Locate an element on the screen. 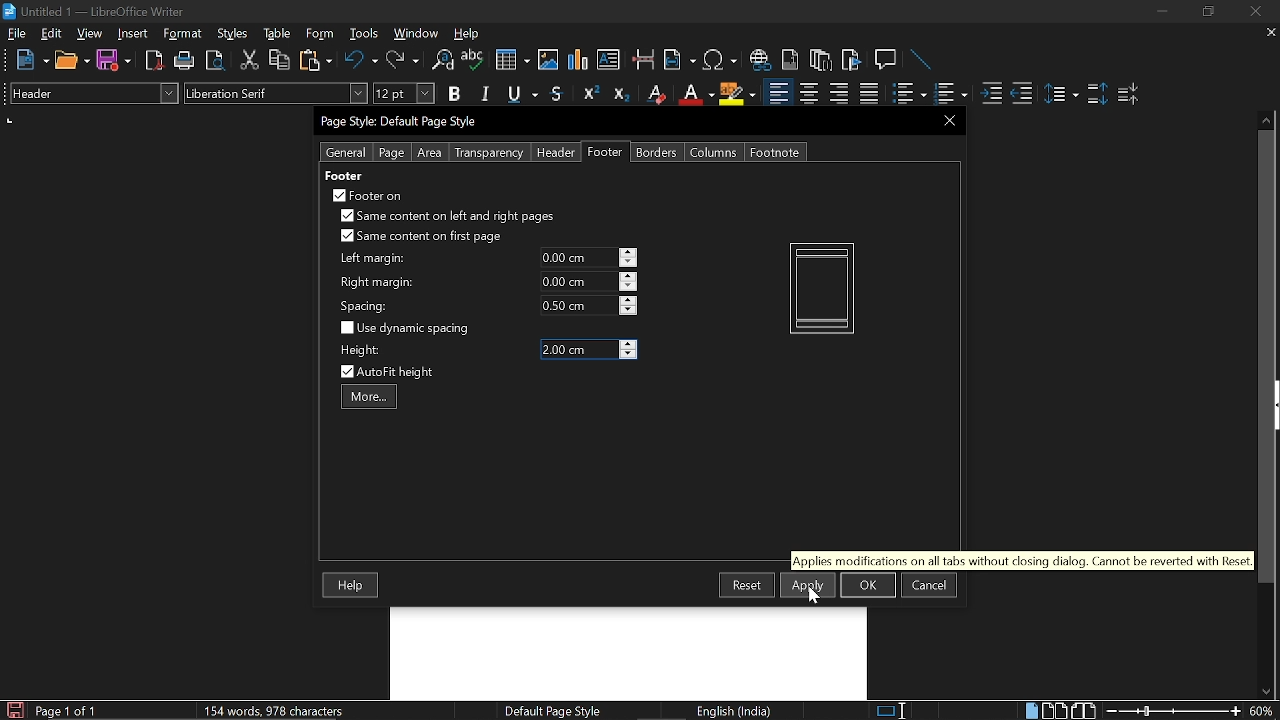 The height and width of the screenshot is (720, 1280). Find and replace is located at coordinates (441, 61).